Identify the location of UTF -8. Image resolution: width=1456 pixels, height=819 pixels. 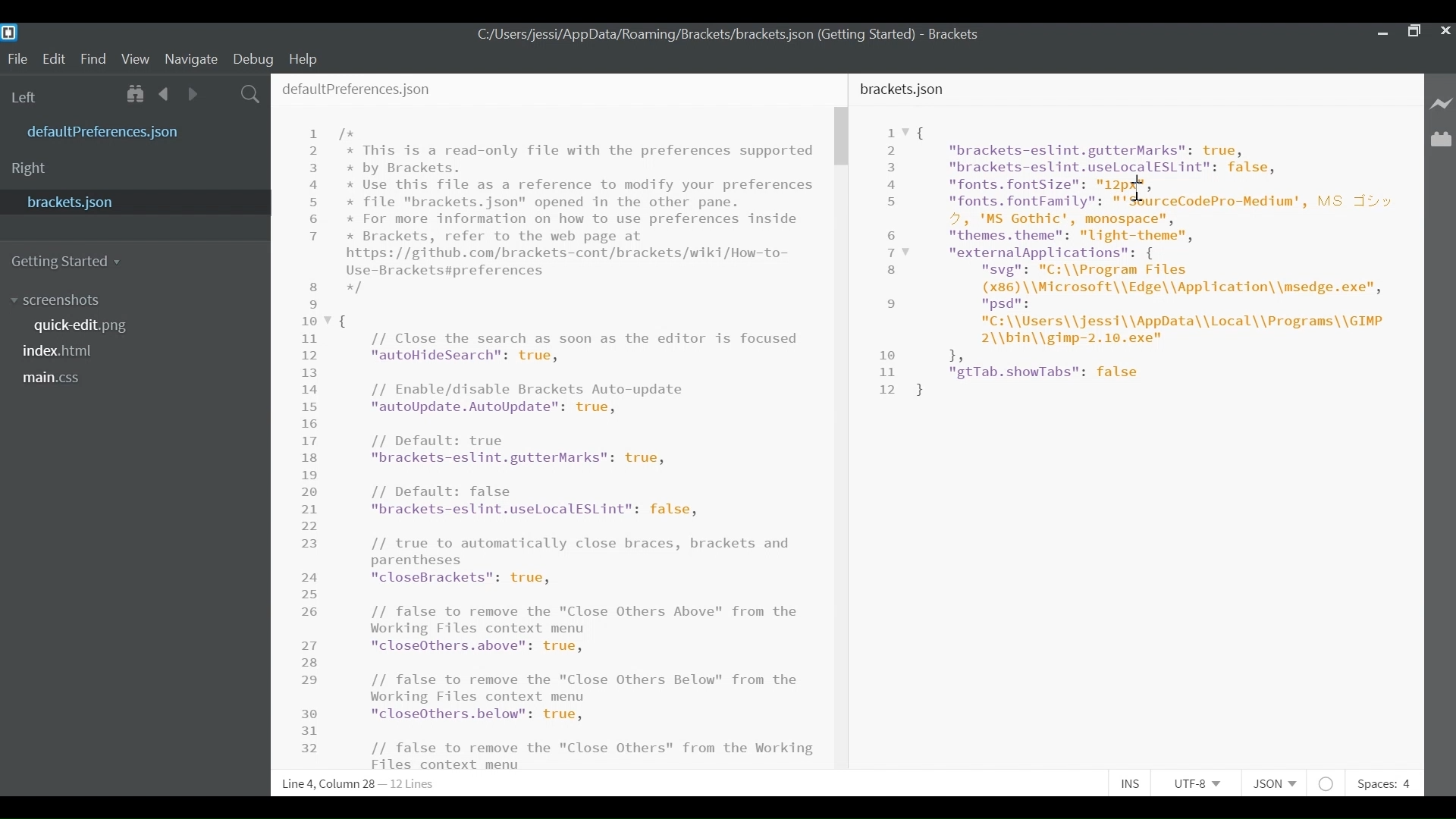
(1203, 783).